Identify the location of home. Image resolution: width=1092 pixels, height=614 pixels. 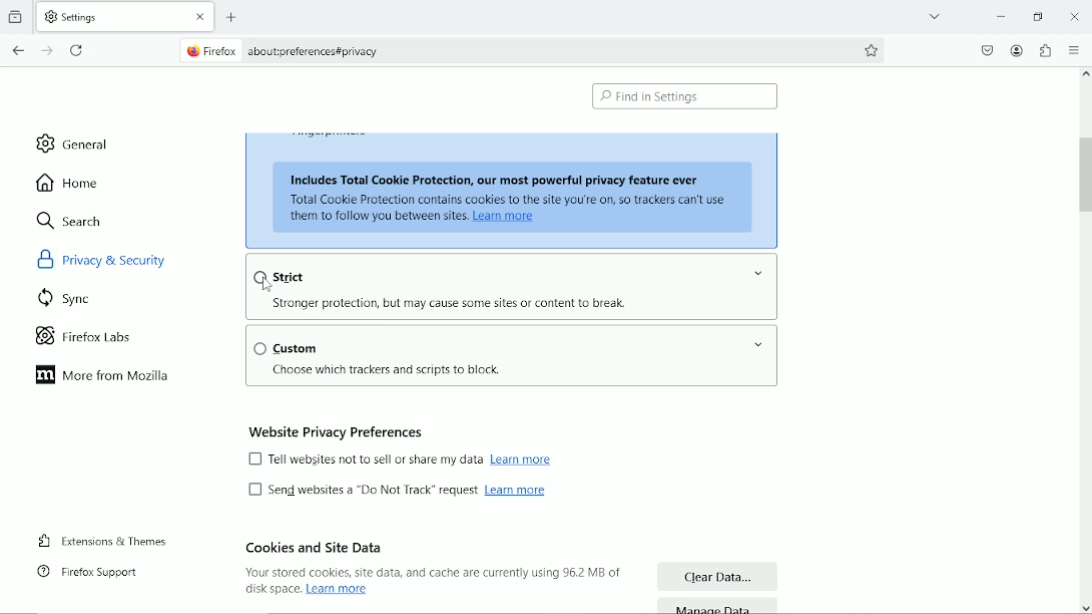
(67, 183).